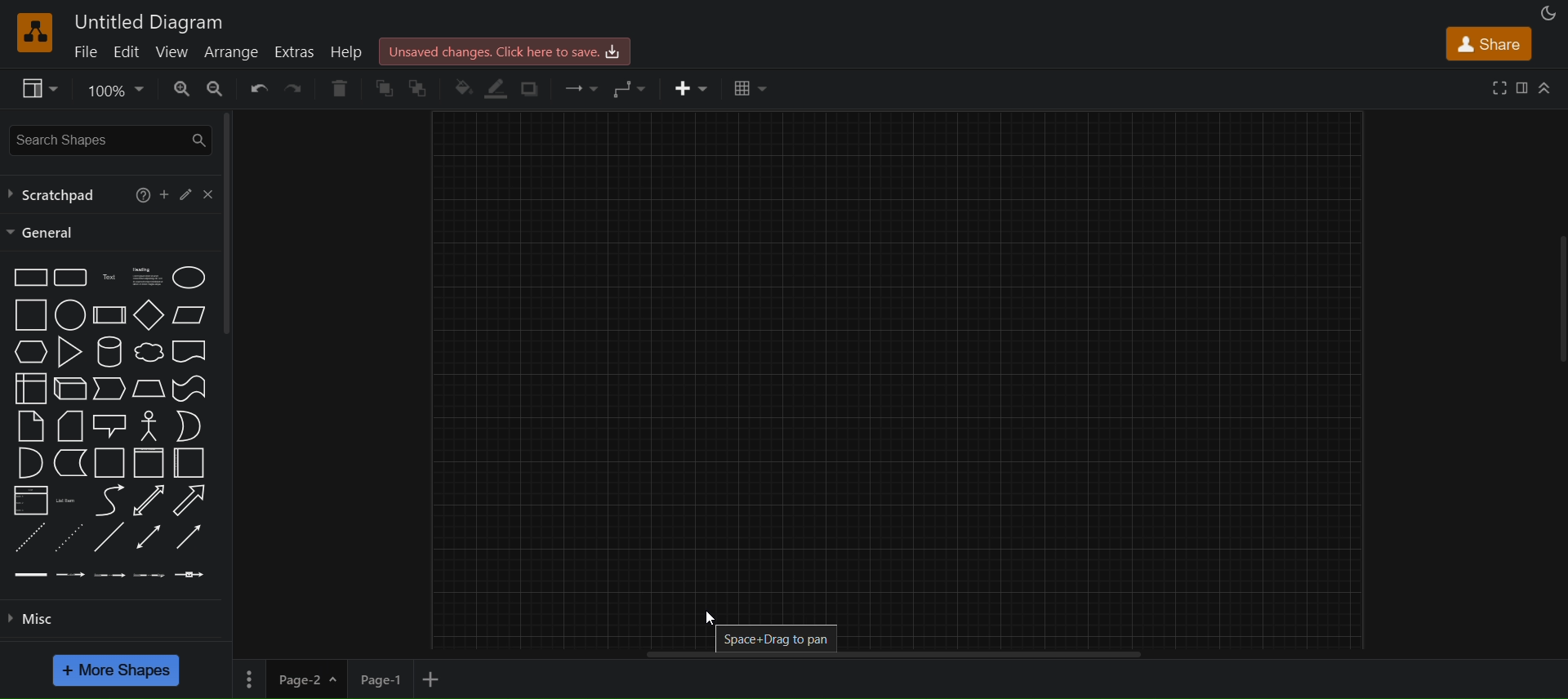 This screenshot has height=699, width=1568. Describe the element at coordinates (692, 87) in the screenshot. I see `insert` at that location.